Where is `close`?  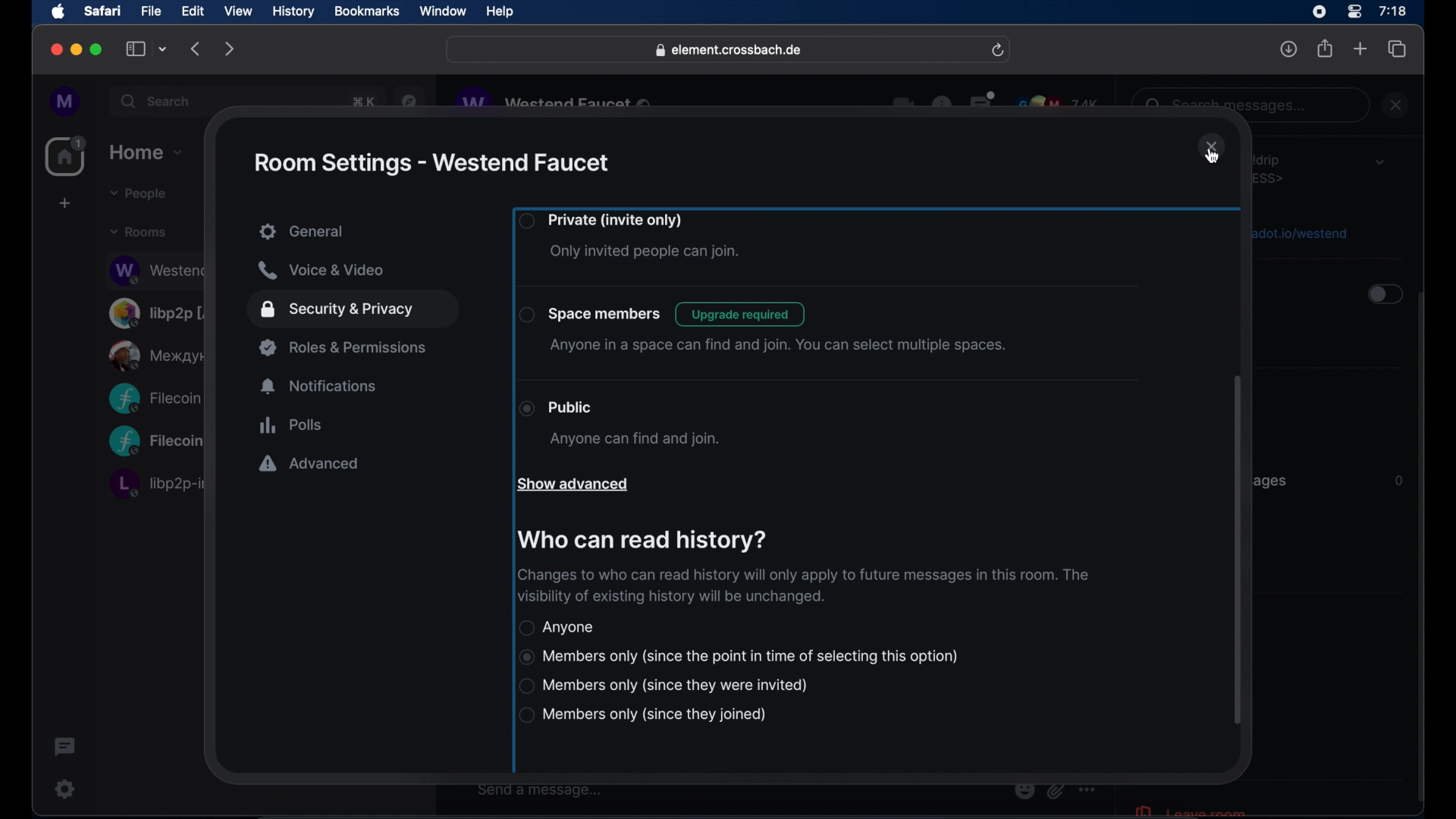 close is located at coordinates (55, 50).